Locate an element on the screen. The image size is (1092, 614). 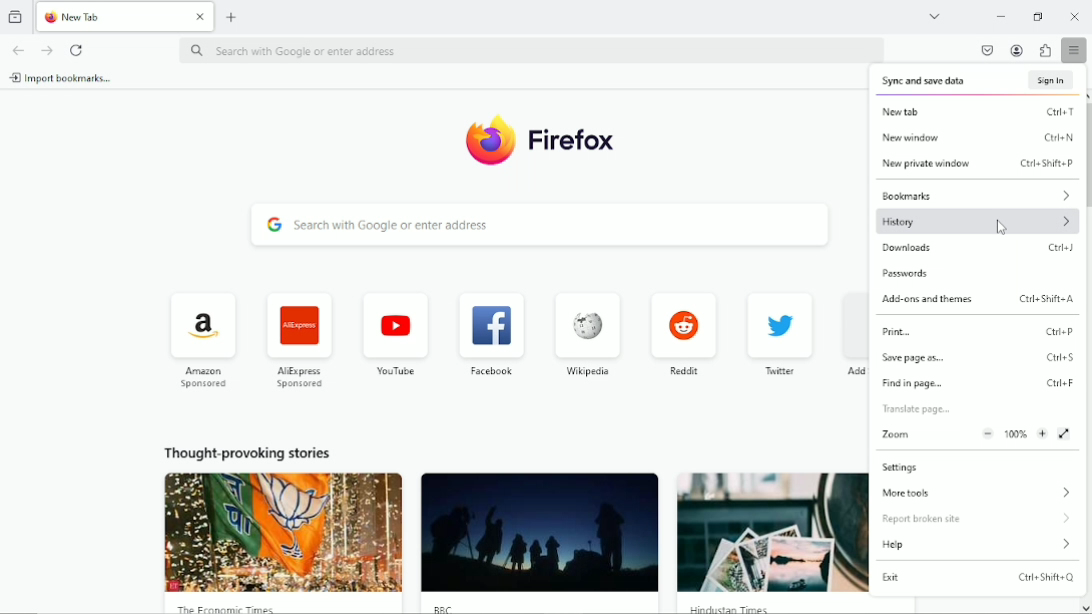
Import bookmarks is located at coordinates (63, 78).